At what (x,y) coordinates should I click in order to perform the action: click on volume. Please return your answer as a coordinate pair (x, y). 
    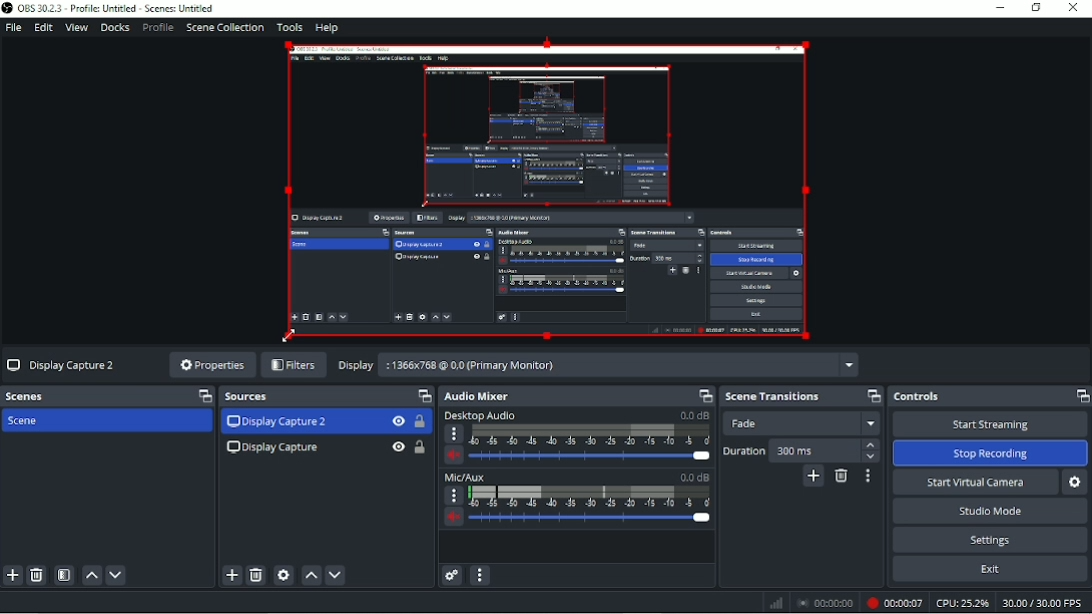
    Looking at the image, I should click on (453, 456).